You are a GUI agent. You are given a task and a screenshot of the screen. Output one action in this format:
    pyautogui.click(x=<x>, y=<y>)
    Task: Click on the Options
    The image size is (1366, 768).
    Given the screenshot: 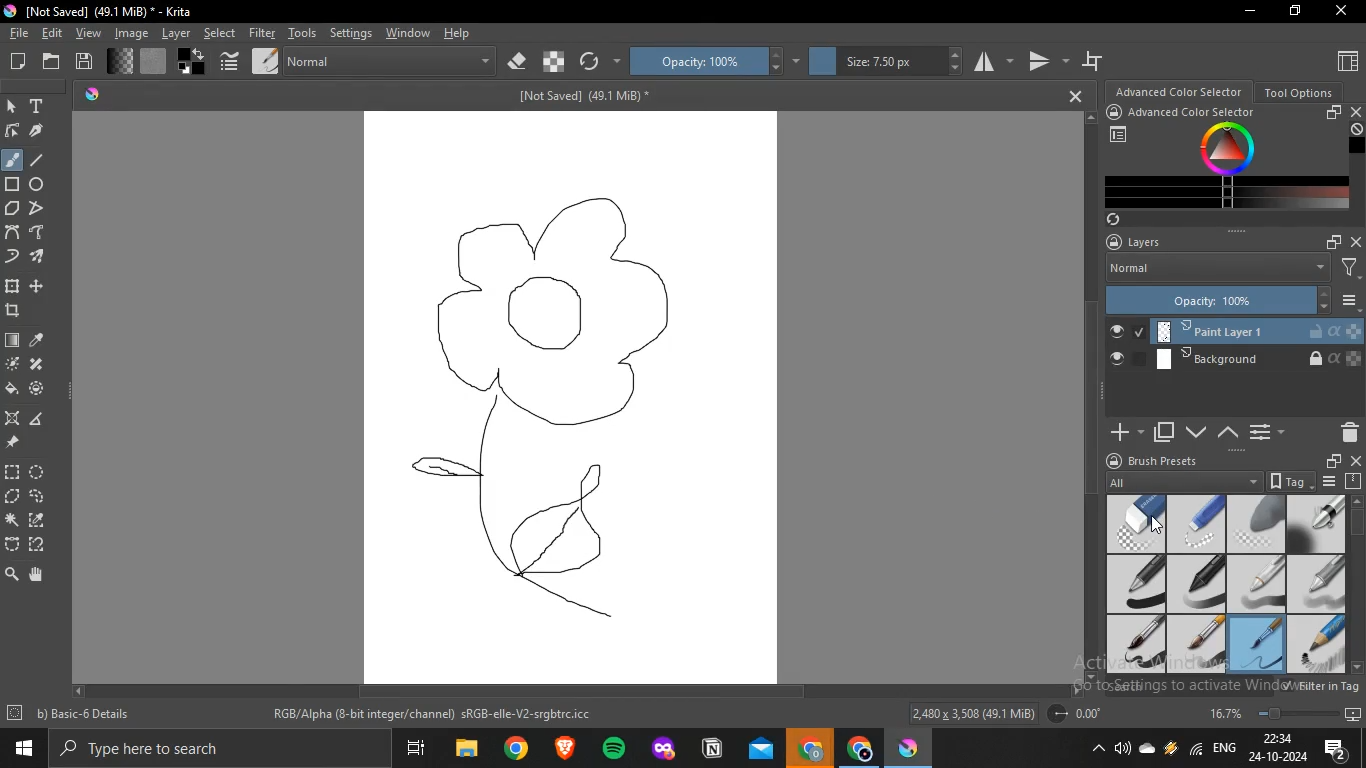 What is the action you would take?
    pyautogui.click(x=1351, y=301)
    